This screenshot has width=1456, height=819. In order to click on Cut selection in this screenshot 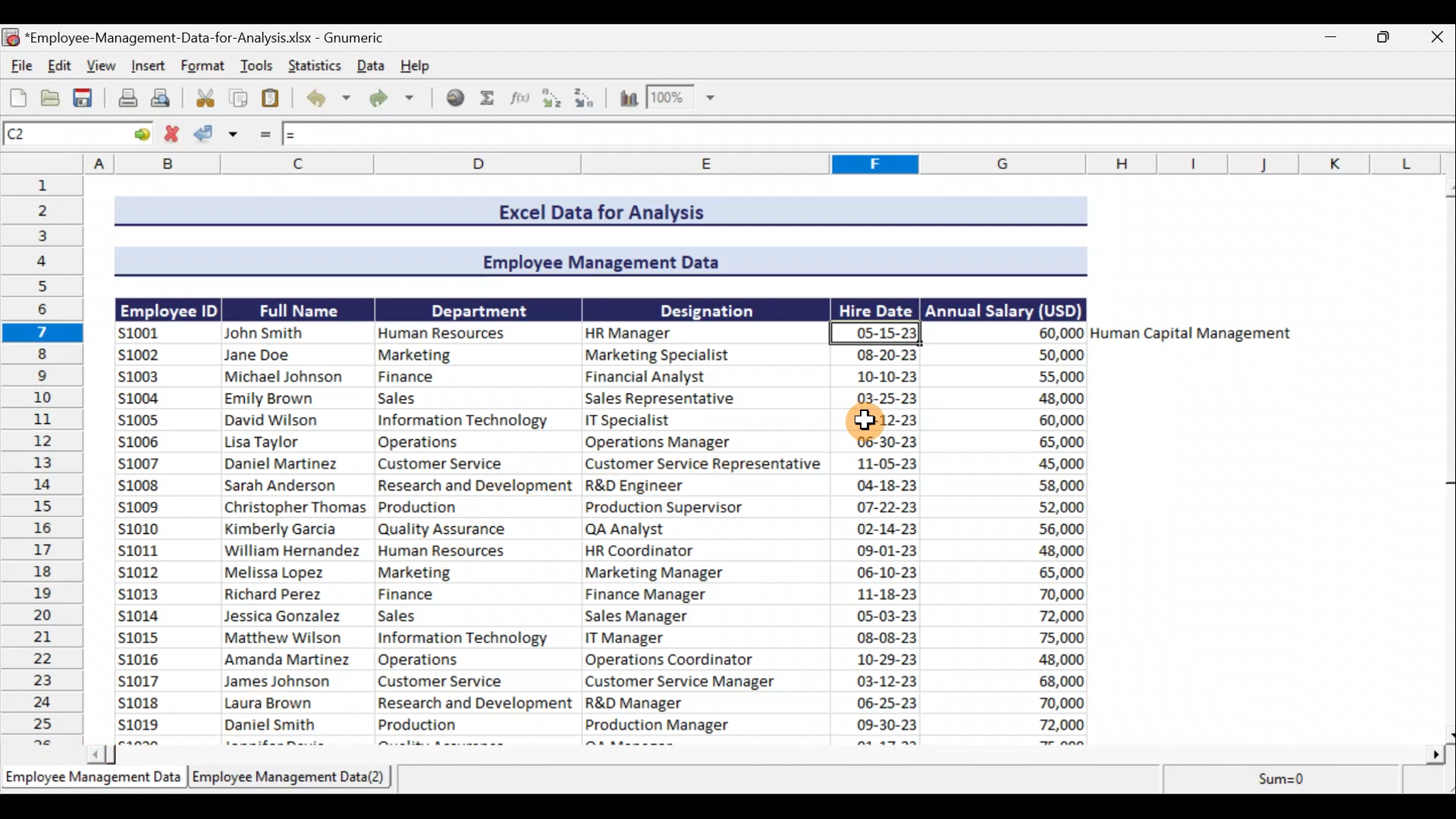, I will do `click(204, 100)`.